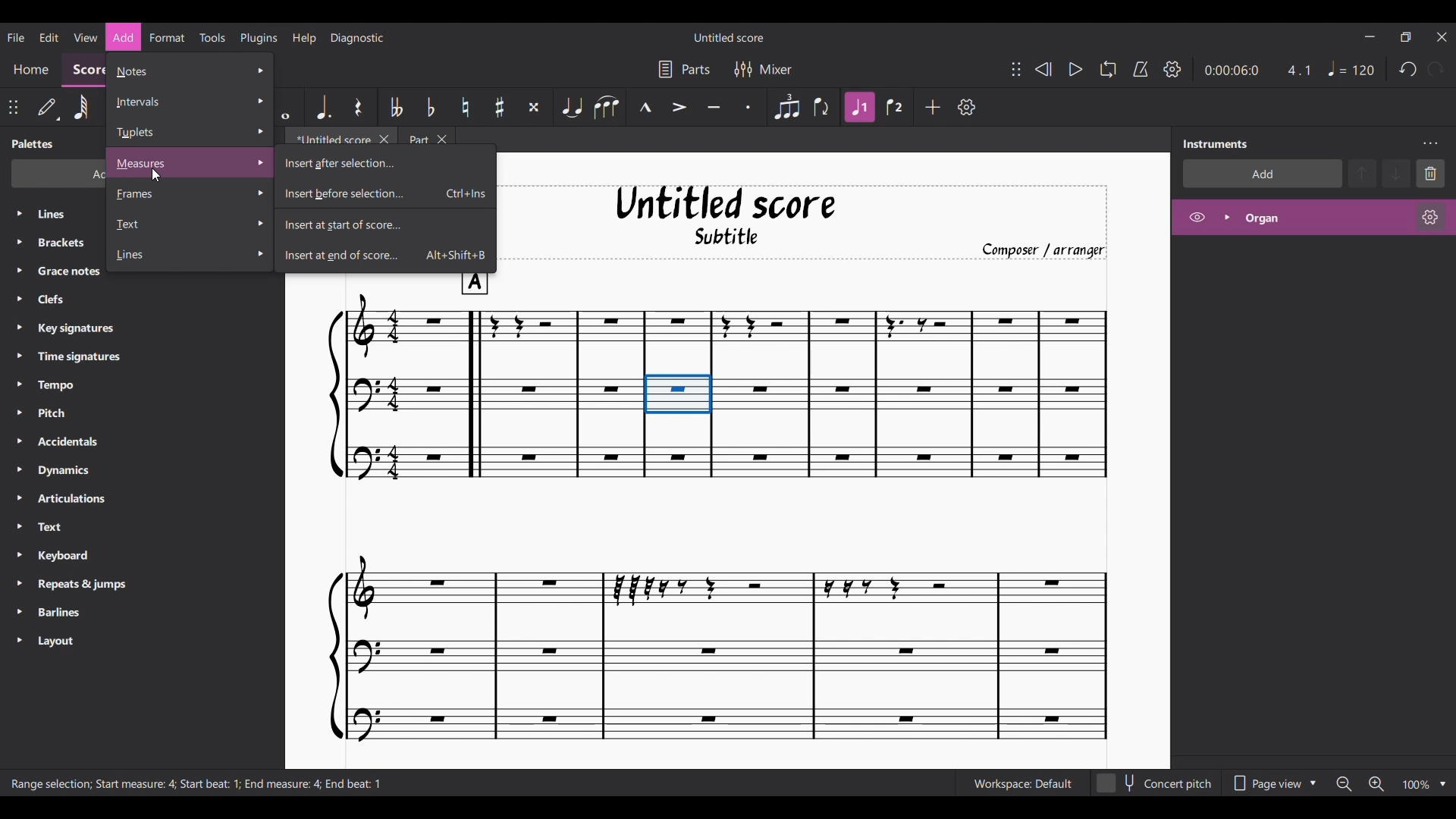  I want to click on Home section, so click(30, 69).